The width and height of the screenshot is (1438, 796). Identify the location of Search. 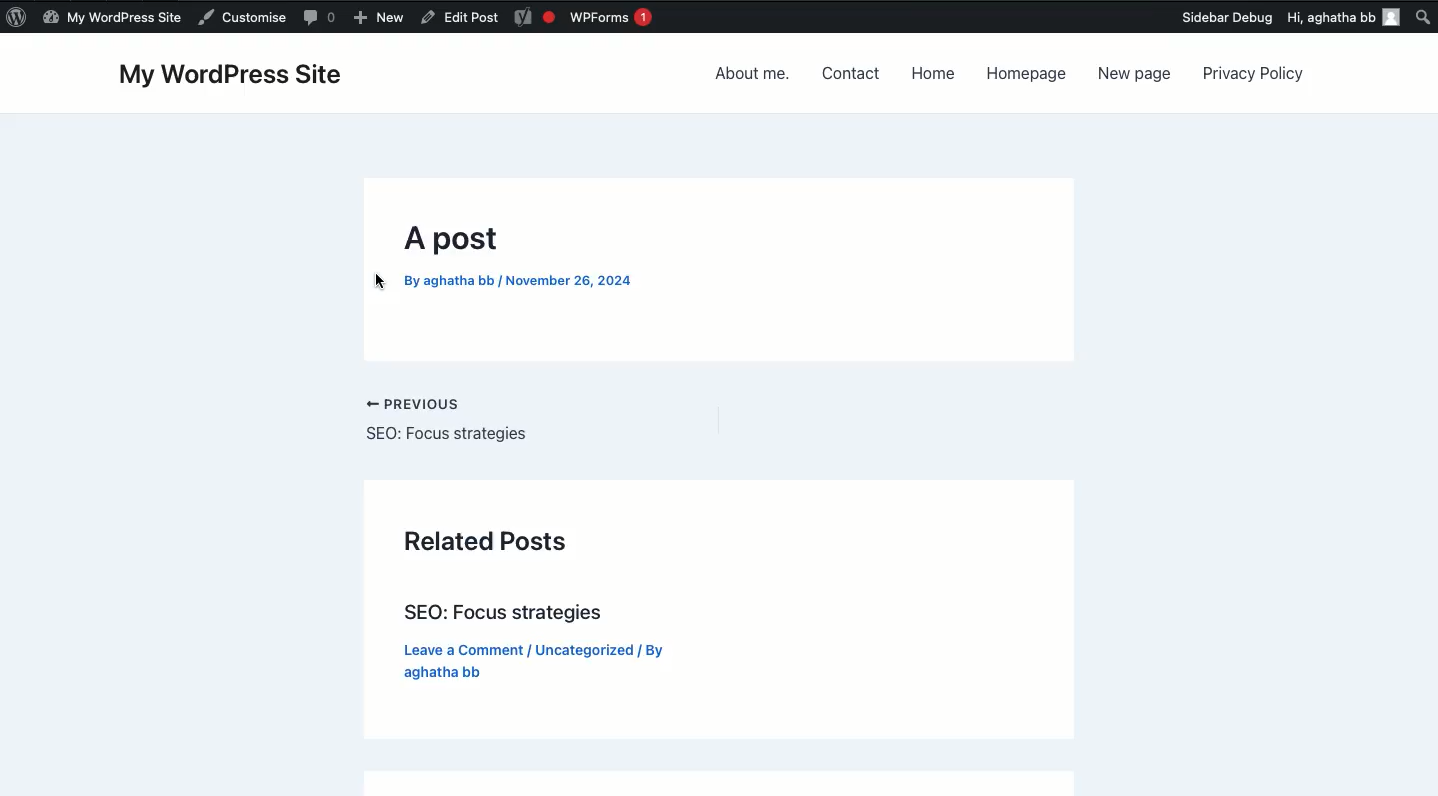
(1423, 18).